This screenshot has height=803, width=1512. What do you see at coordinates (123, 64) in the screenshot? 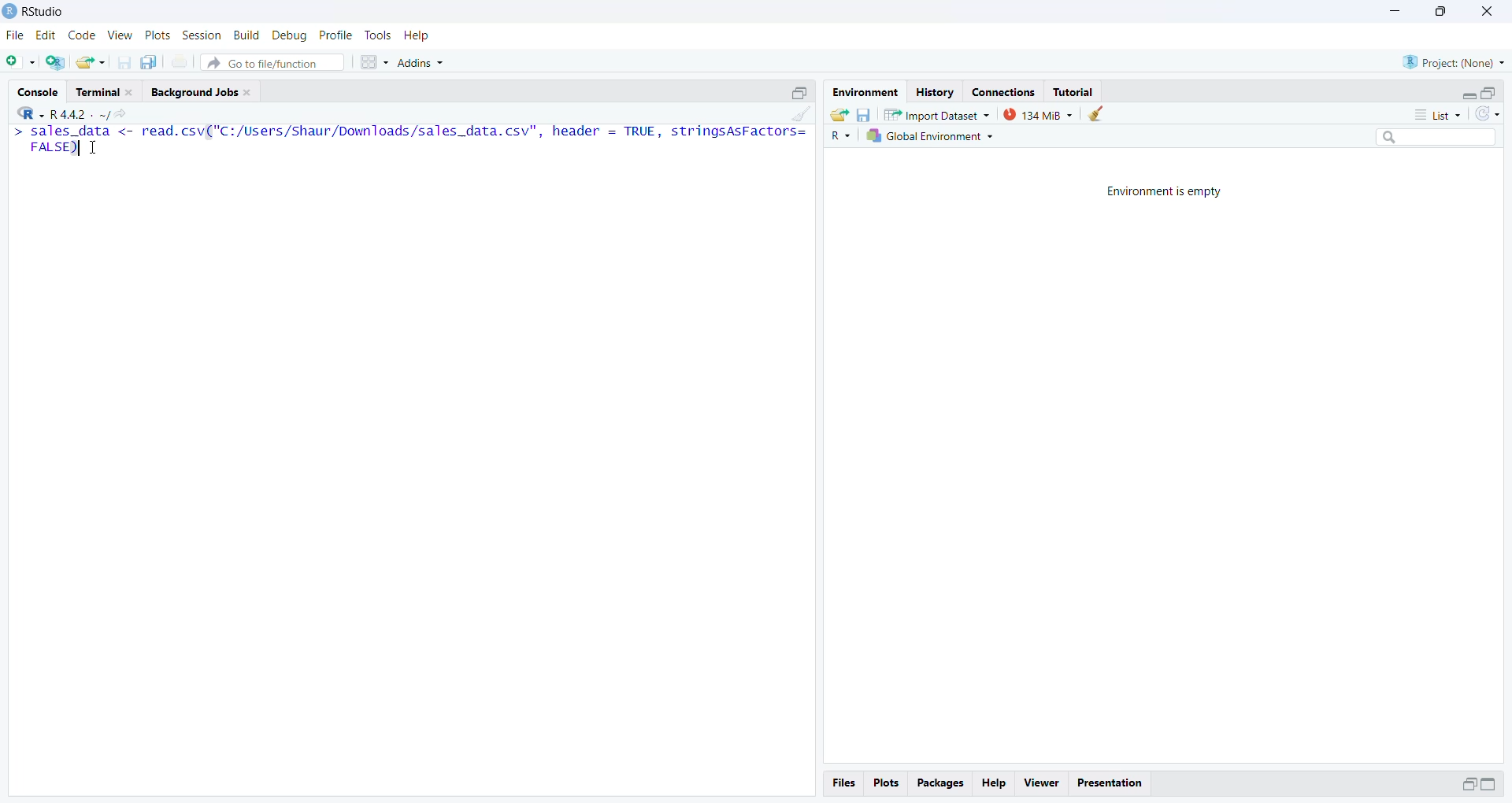
I see `Save current document(CTRL + S)` at bounding box center [123, 64].